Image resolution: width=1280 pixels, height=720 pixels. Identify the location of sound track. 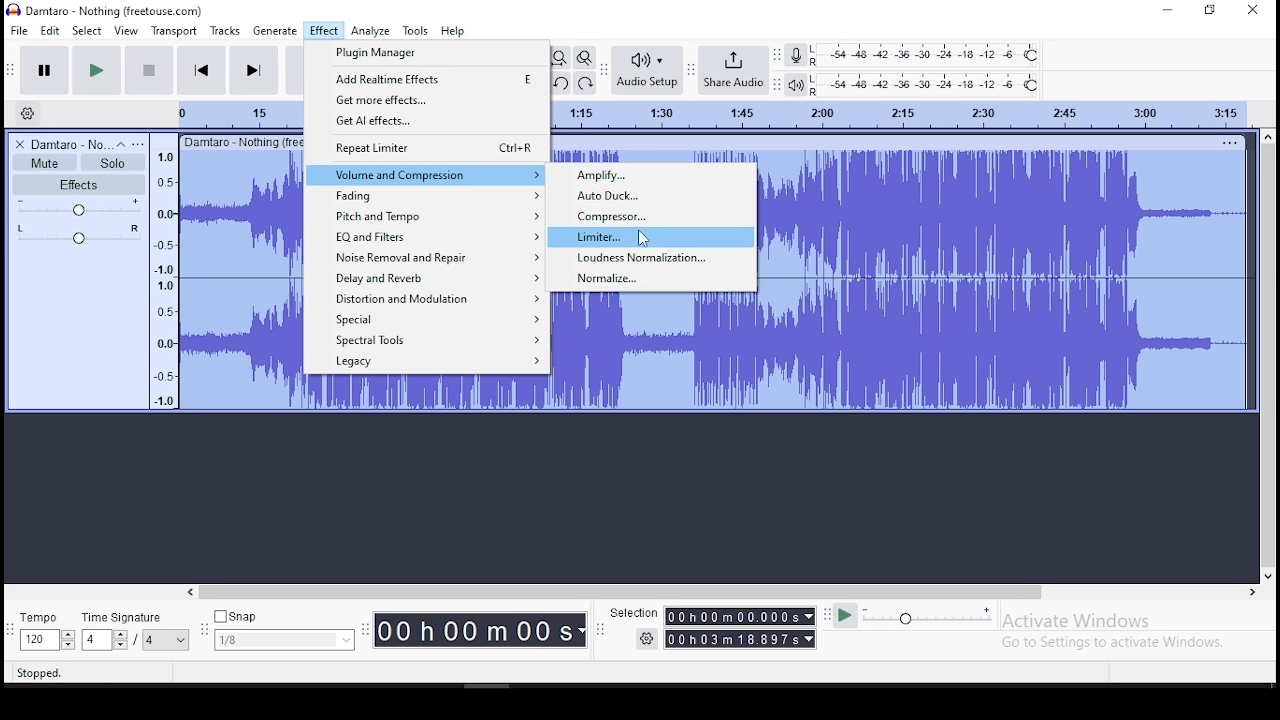
(1004, 281).